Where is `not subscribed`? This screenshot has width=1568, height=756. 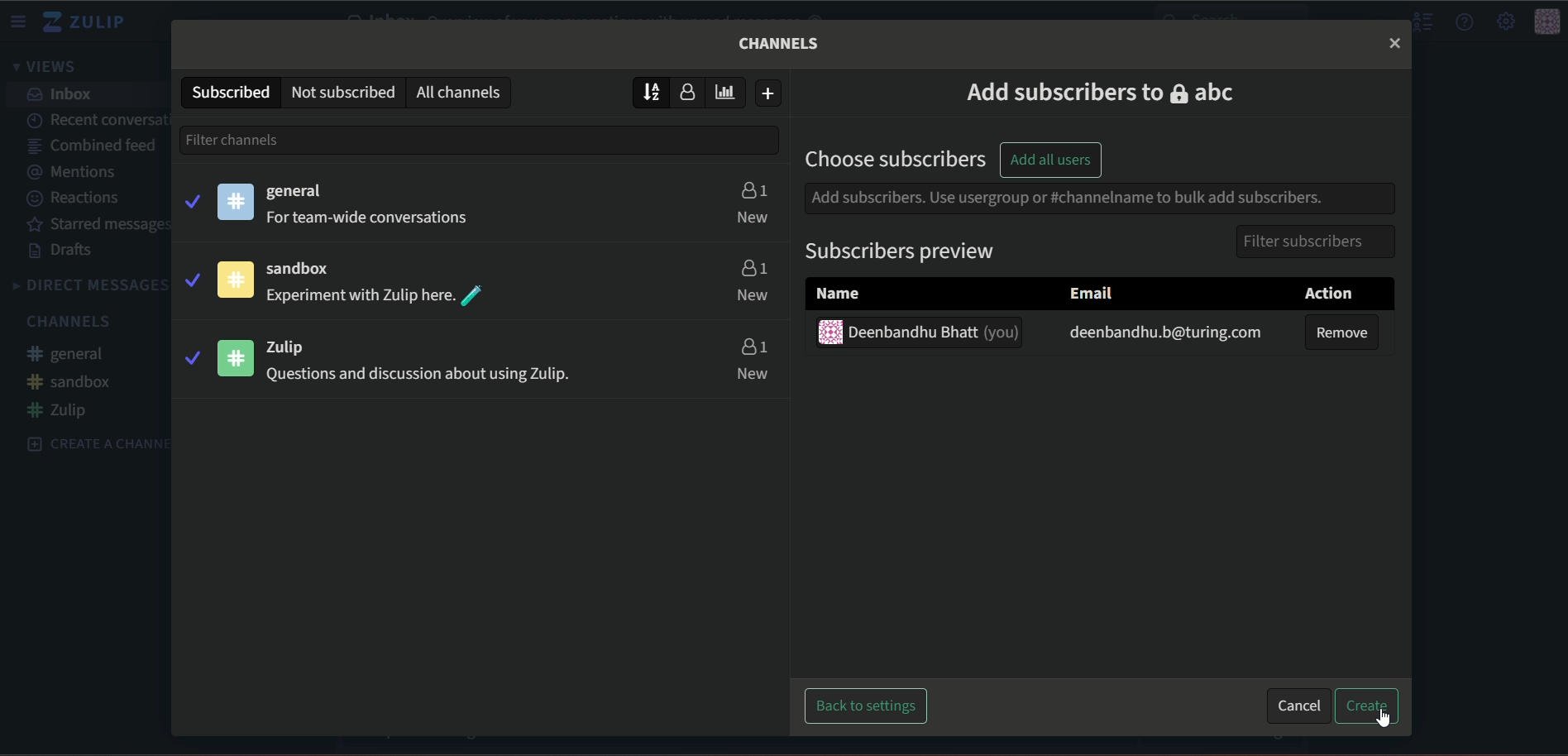
not subscribed is located at coordinates (342, 91).